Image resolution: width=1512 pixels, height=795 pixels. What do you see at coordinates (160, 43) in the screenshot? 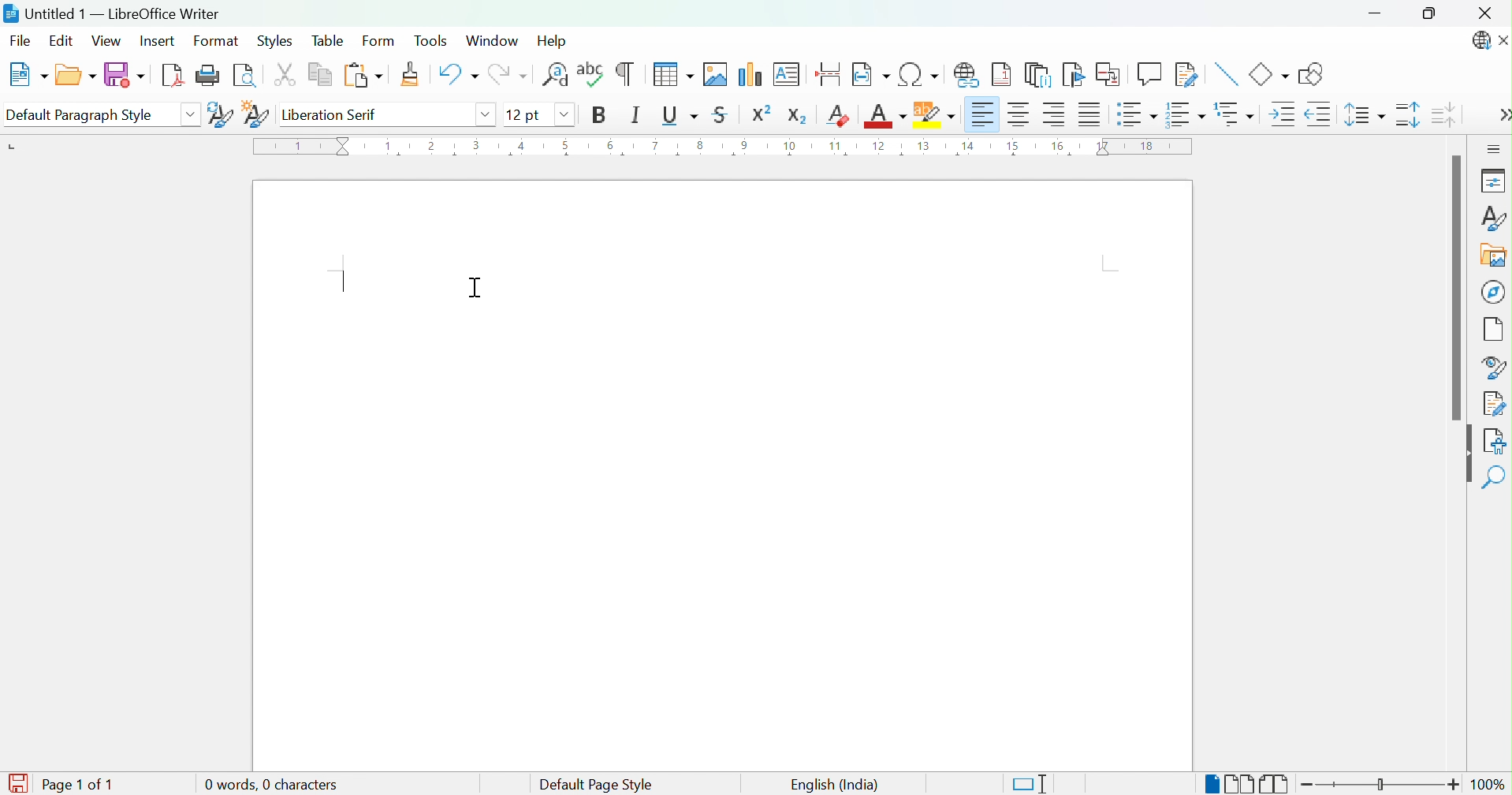
I see `Insert` at bounding box center [160, 43].